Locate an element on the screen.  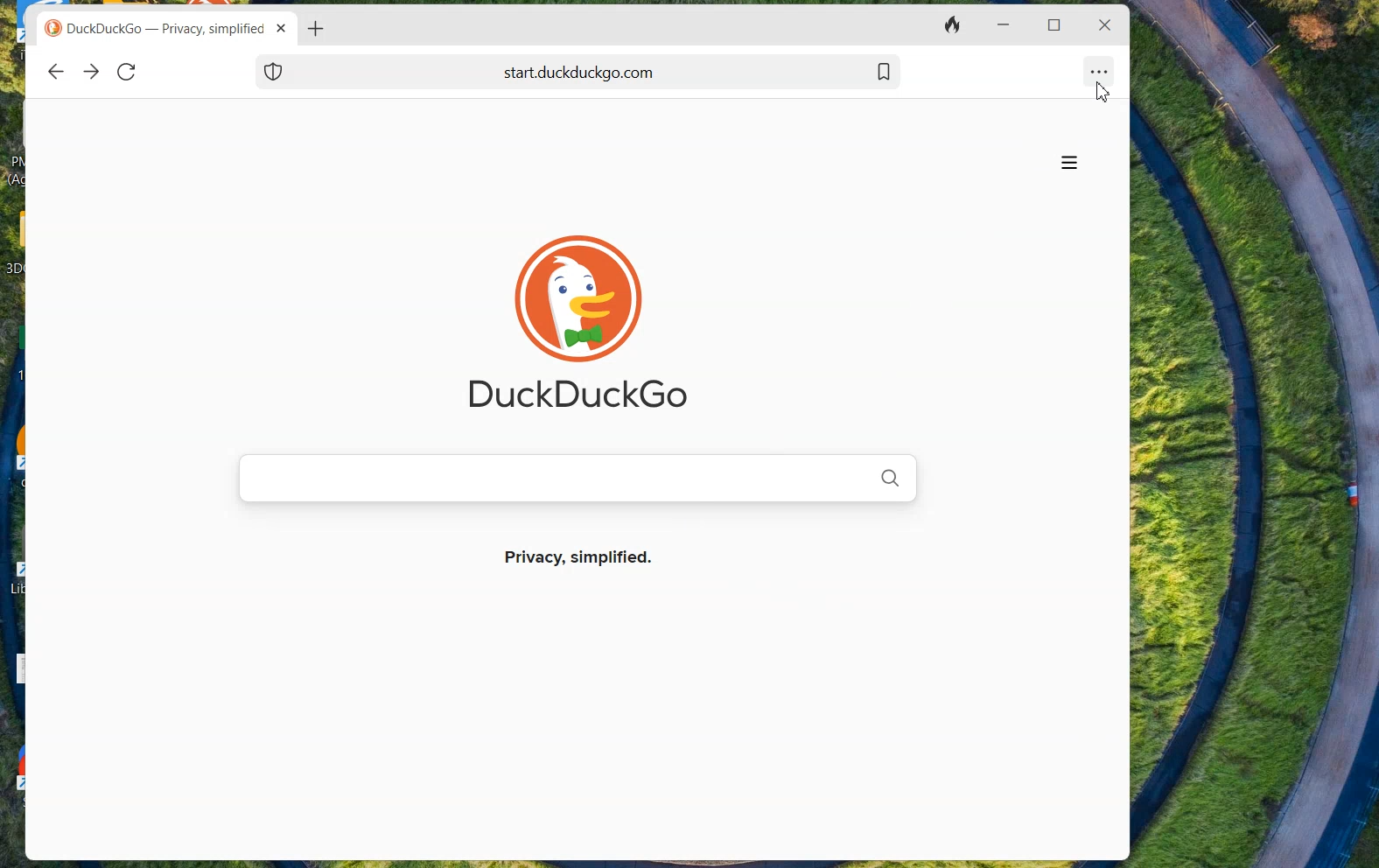
Back is located at coordinates (55, 72).